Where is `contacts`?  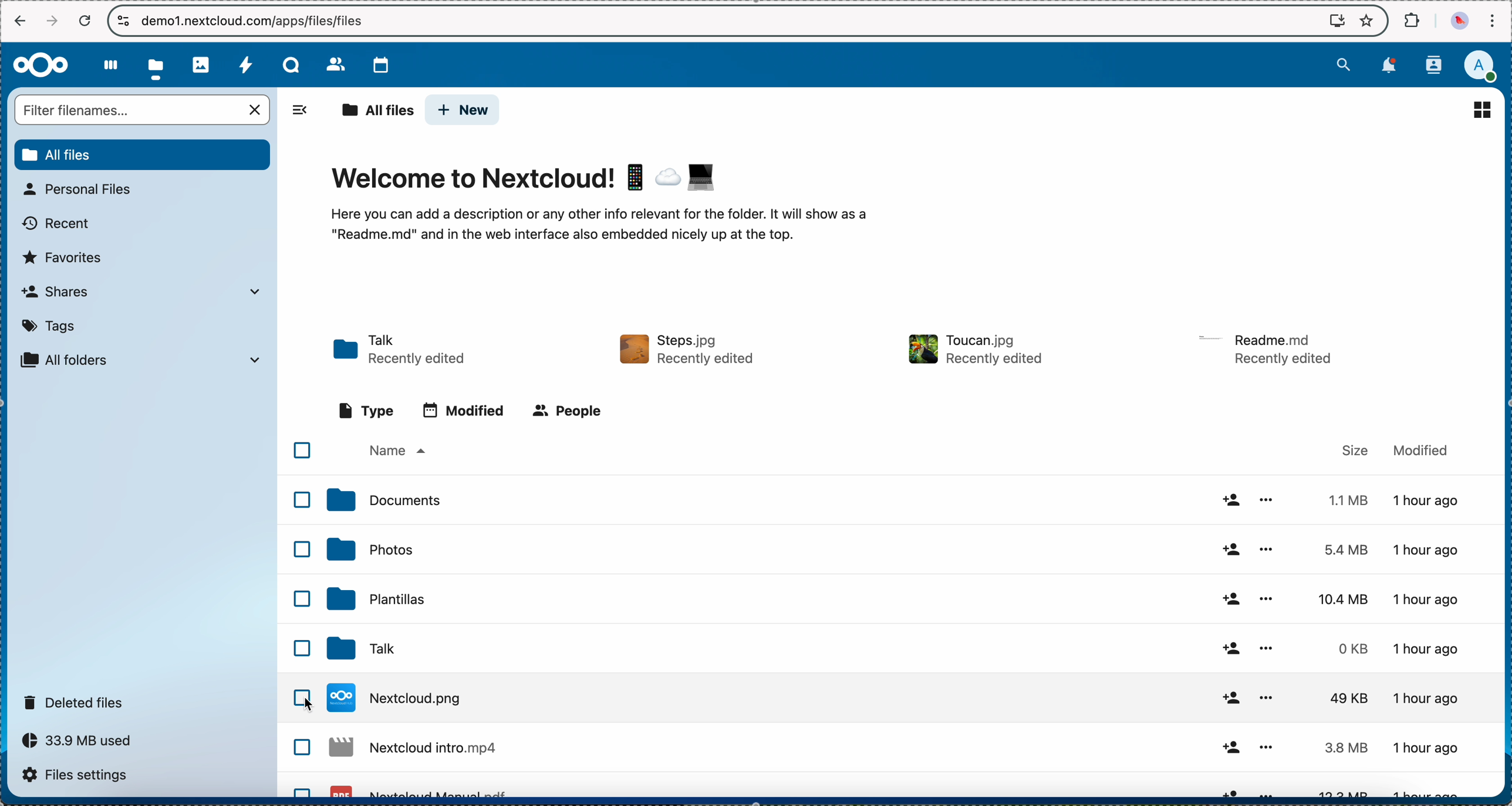 contacts is located at coordinates (328, 61).